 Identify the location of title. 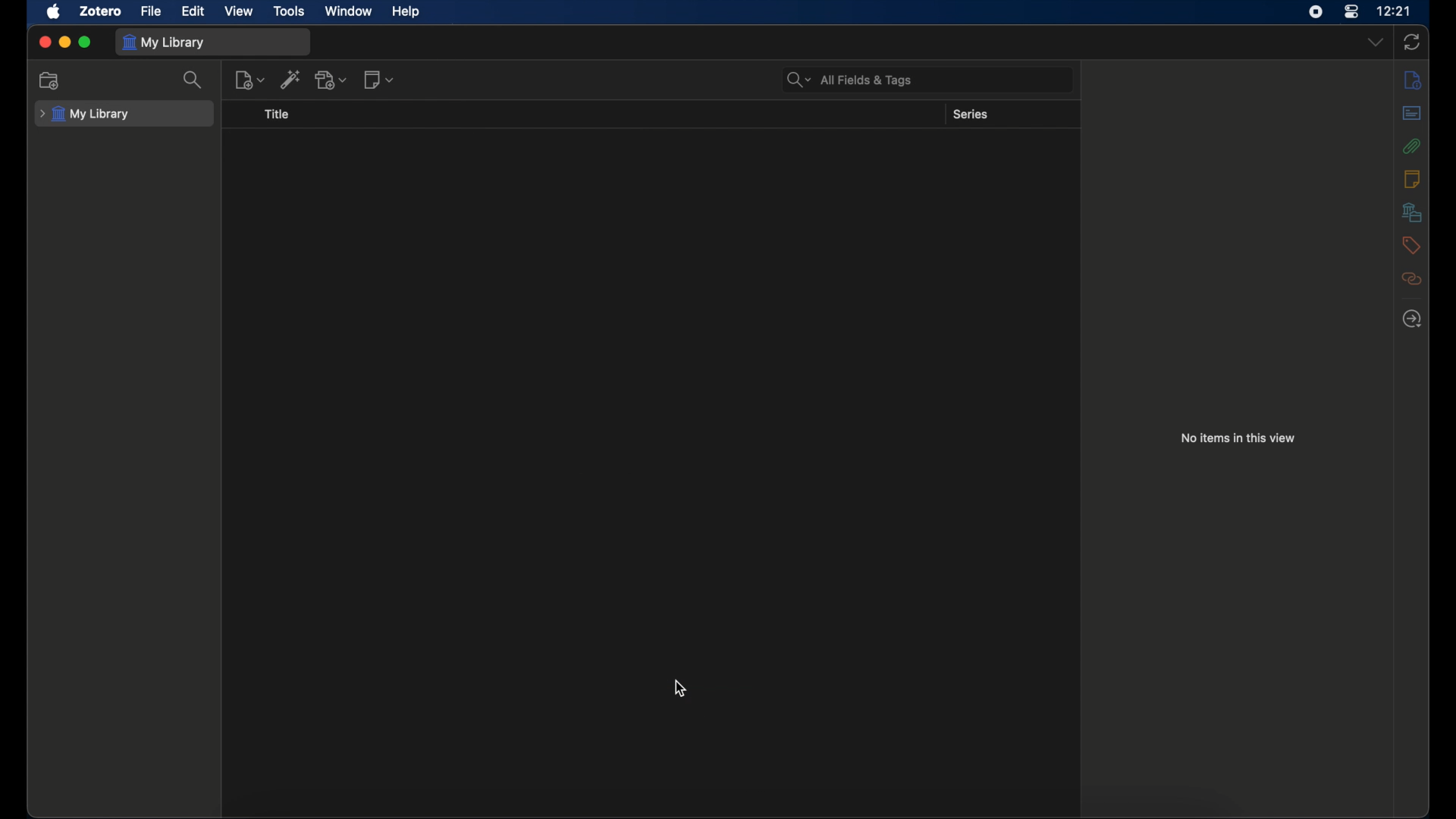
(277, 115).